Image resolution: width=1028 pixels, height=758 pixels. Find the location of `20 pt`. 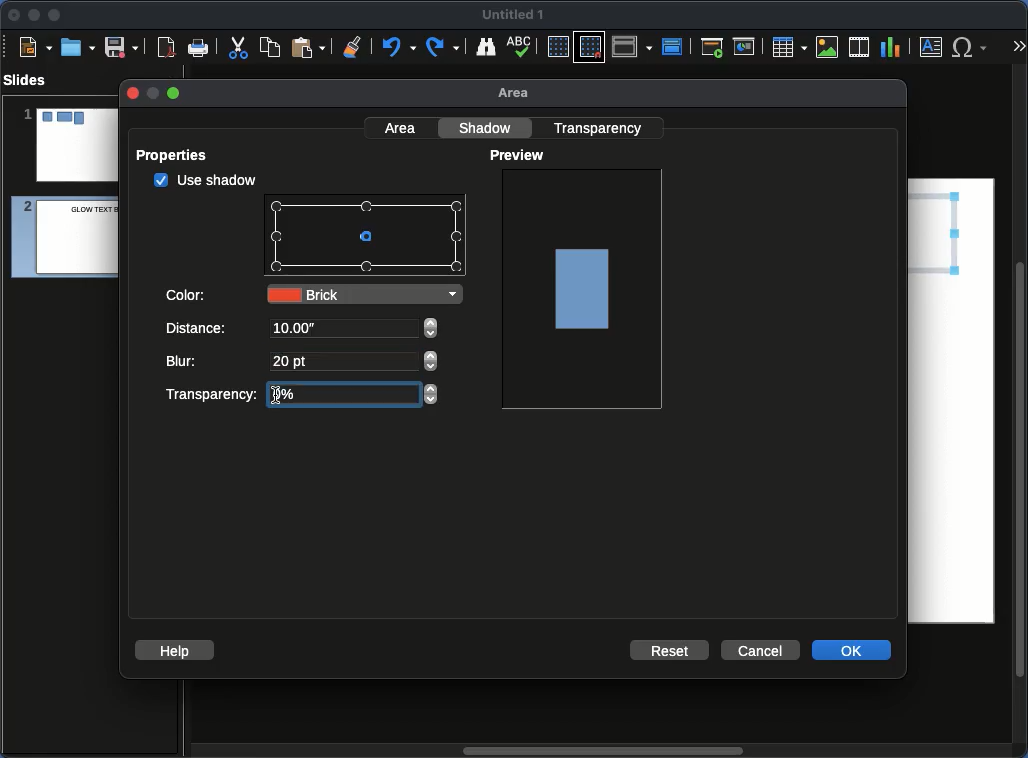

20 pt is located at coordinates (294, 363).